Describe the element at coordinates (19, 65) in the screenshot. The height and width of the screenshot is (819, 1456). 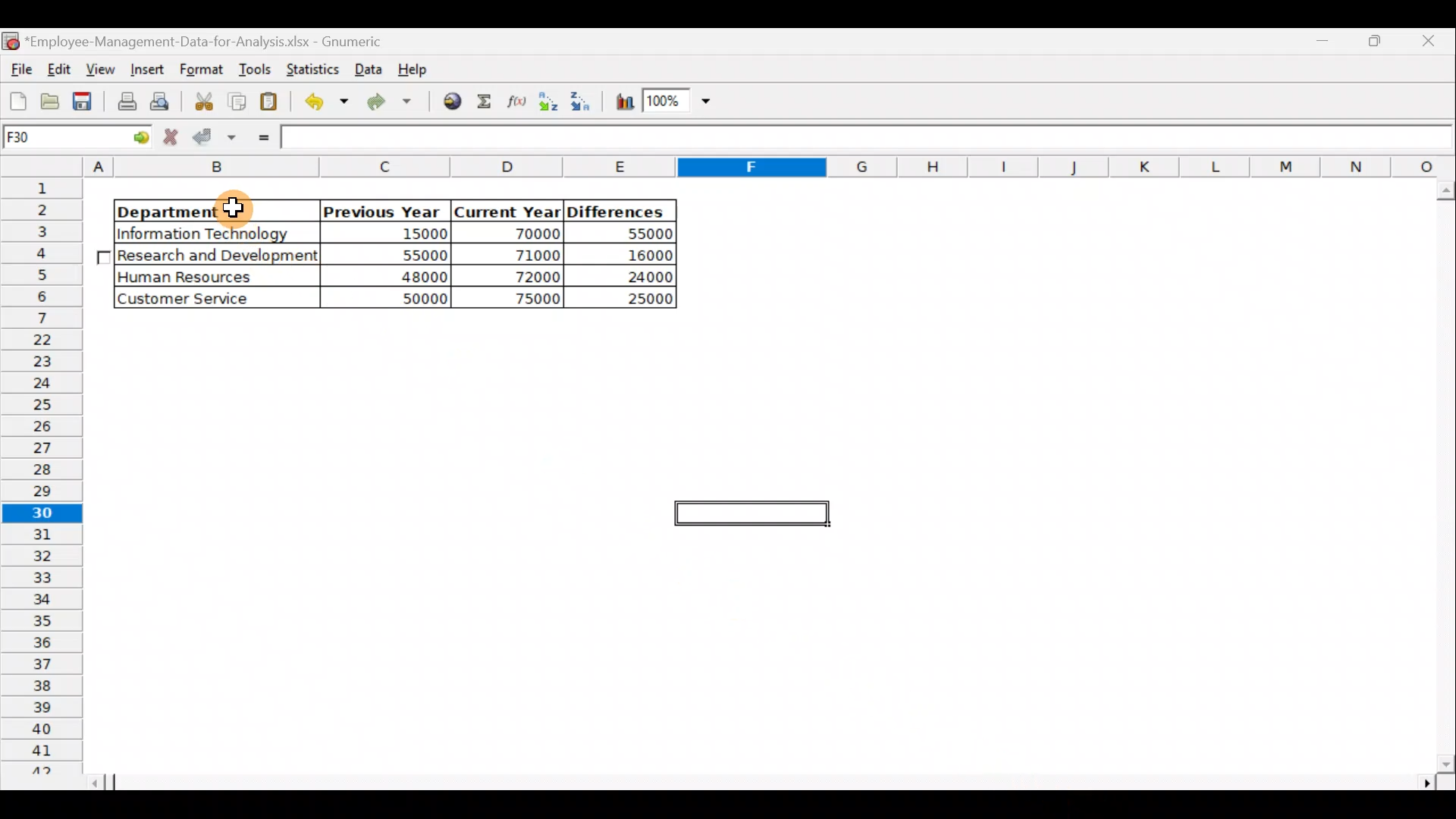
I see `File` at that location.